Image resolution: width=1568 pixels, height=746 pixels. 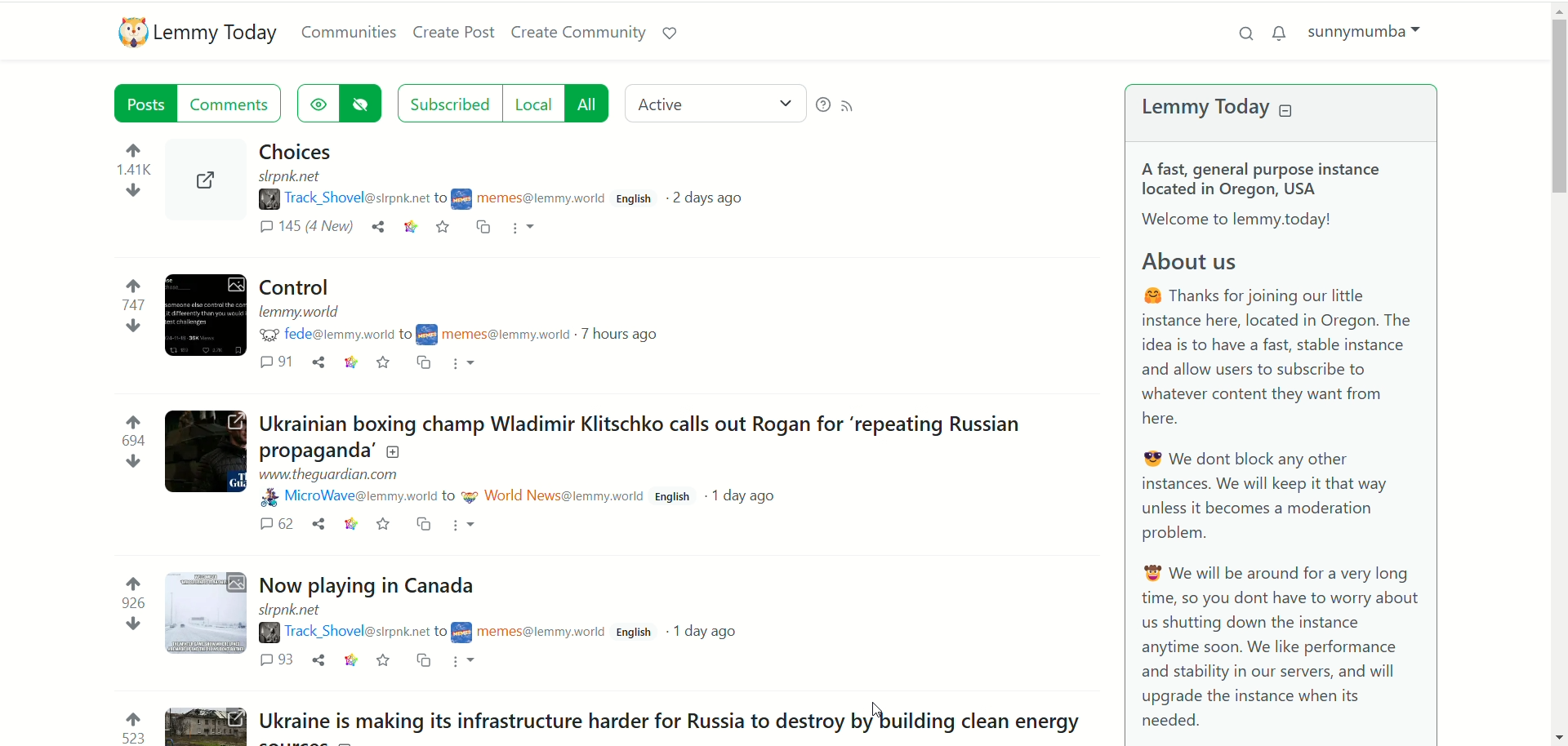 What do you see at coordinates (279, 661) in the screenshot?
I see `comments` at bounding box center [279, 661].